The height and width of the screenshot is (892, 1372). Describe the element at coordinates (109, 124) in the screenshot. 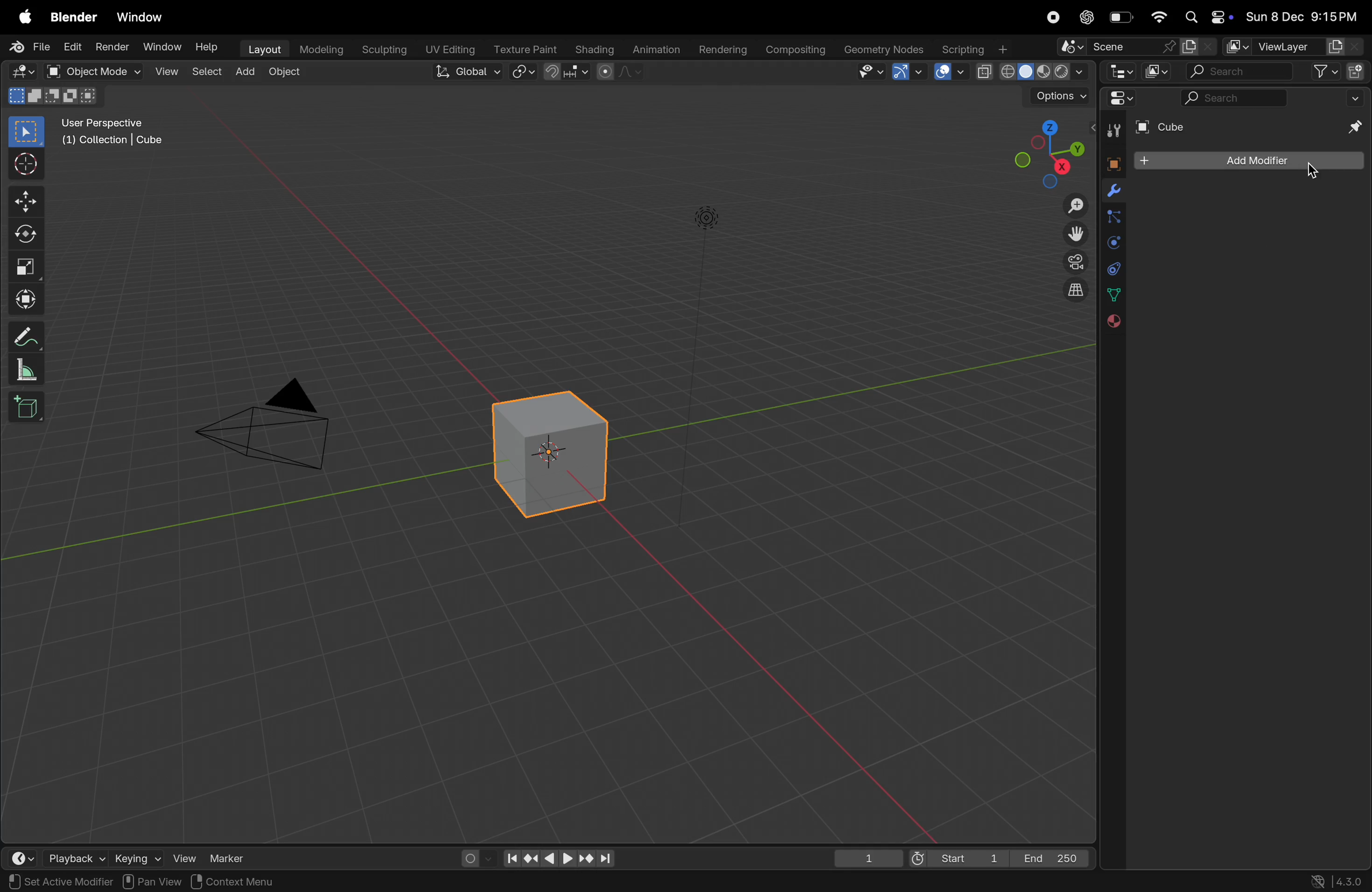

I see `use erception` at that location.